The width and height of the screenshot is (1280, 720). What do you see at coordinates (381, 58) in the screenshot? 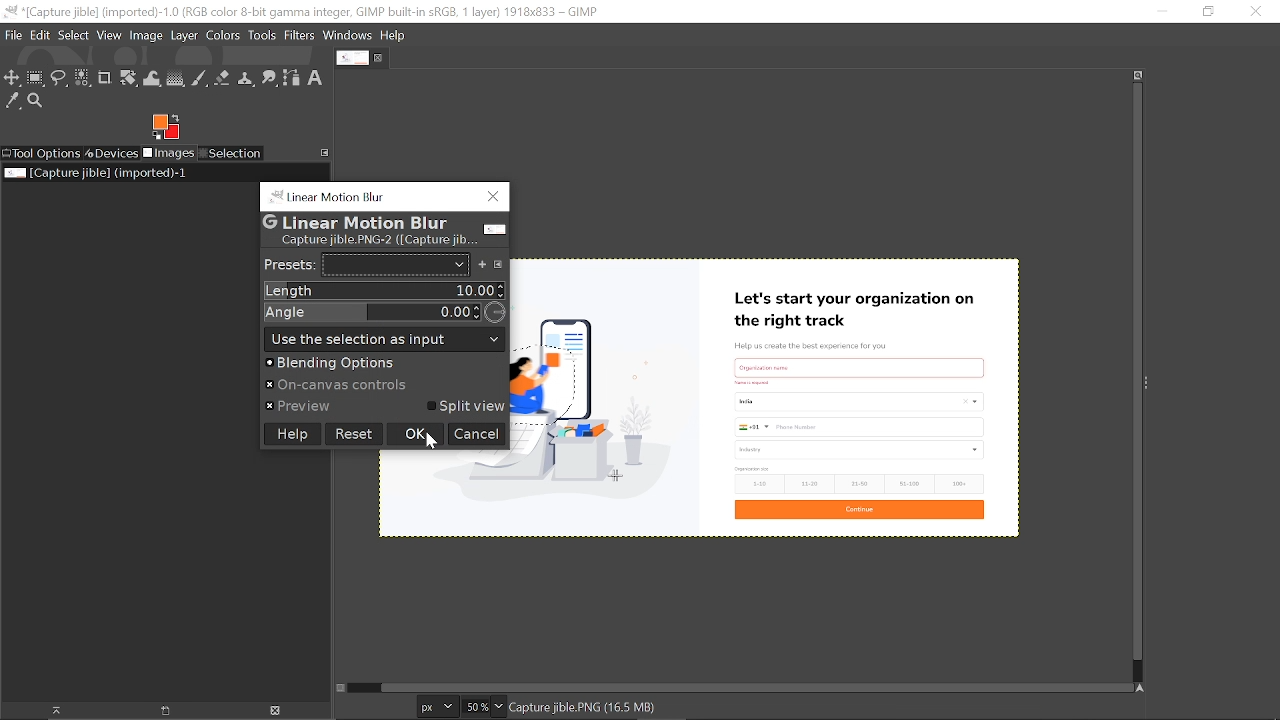
I see `Close tab` at bounding box center [381, 58].